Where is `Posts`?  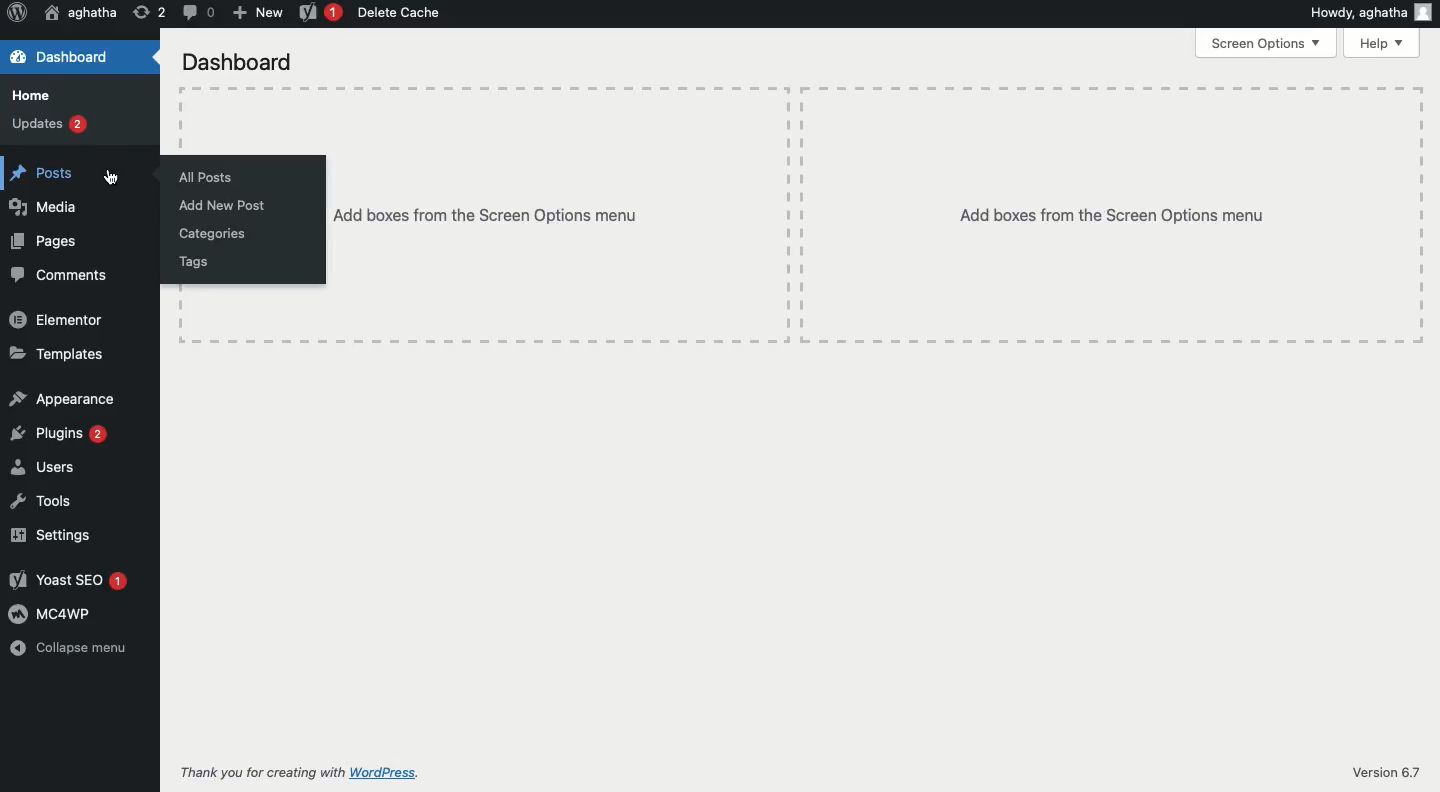 Posts is located at coordinates (83, 167).